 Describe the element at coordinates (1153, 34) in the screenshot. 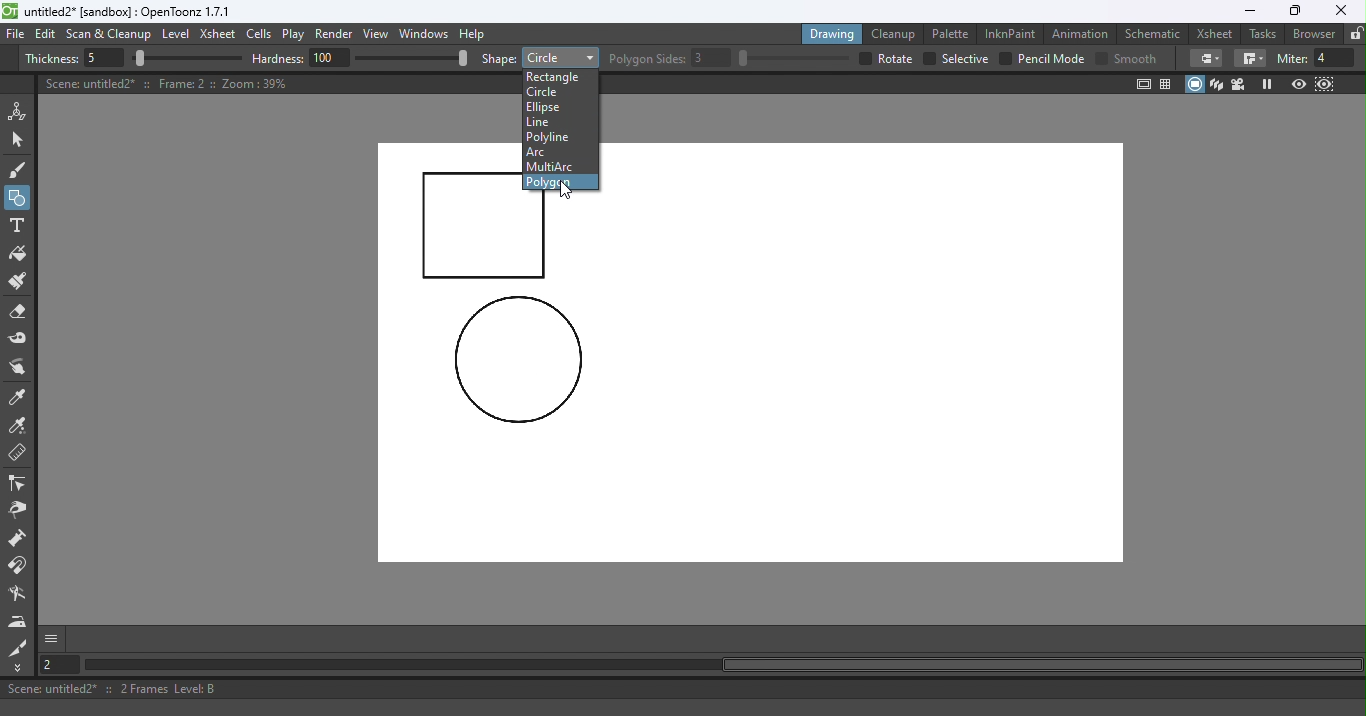

I see `Schematic` at that location.